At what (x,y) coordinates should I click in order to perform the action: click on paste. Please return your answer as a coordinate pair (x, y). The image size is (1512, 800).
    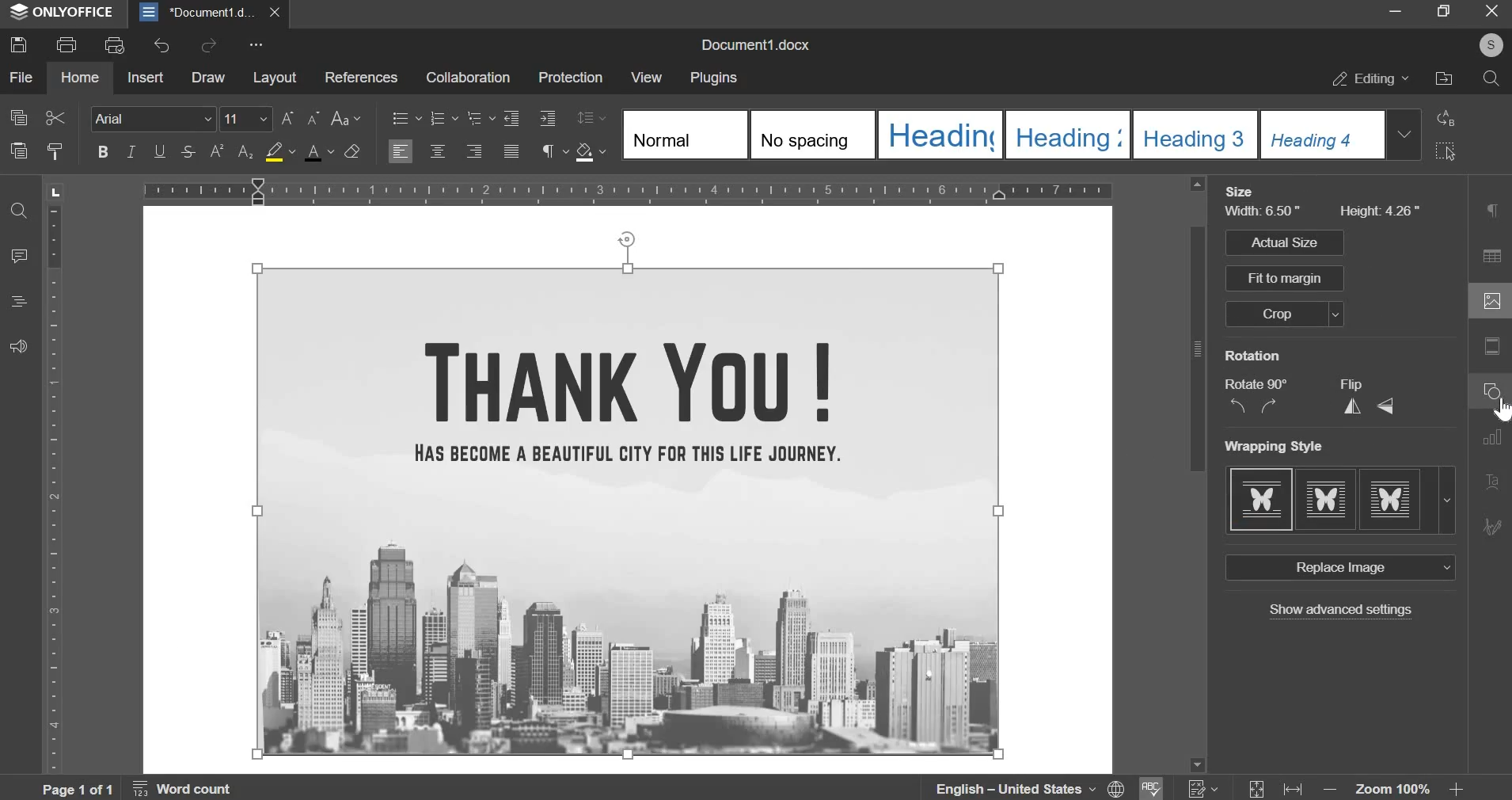
    Looking at the image, I should click on (19, 150).